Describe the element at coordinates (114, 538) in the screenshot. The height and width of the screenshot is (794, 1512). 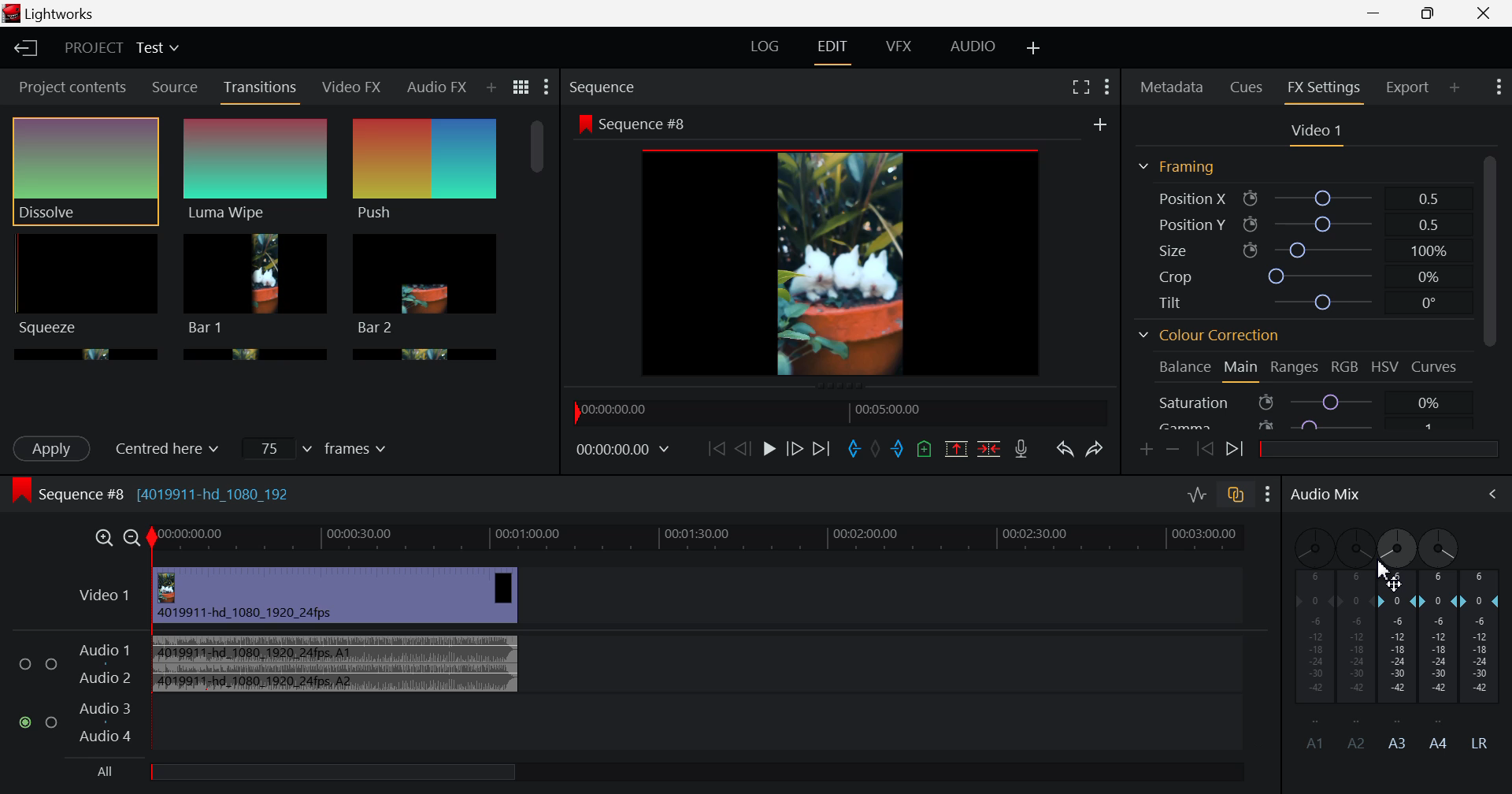
I see `Timeline Zoom In/Out` at that location.